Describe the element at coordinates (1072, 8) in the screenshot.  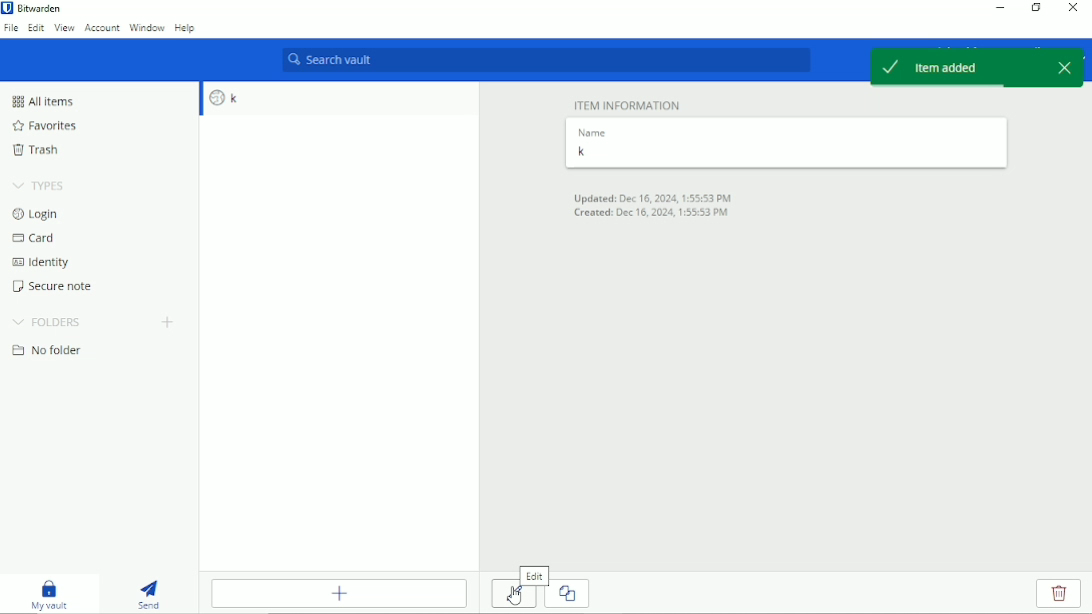
I see `Close` at that location.